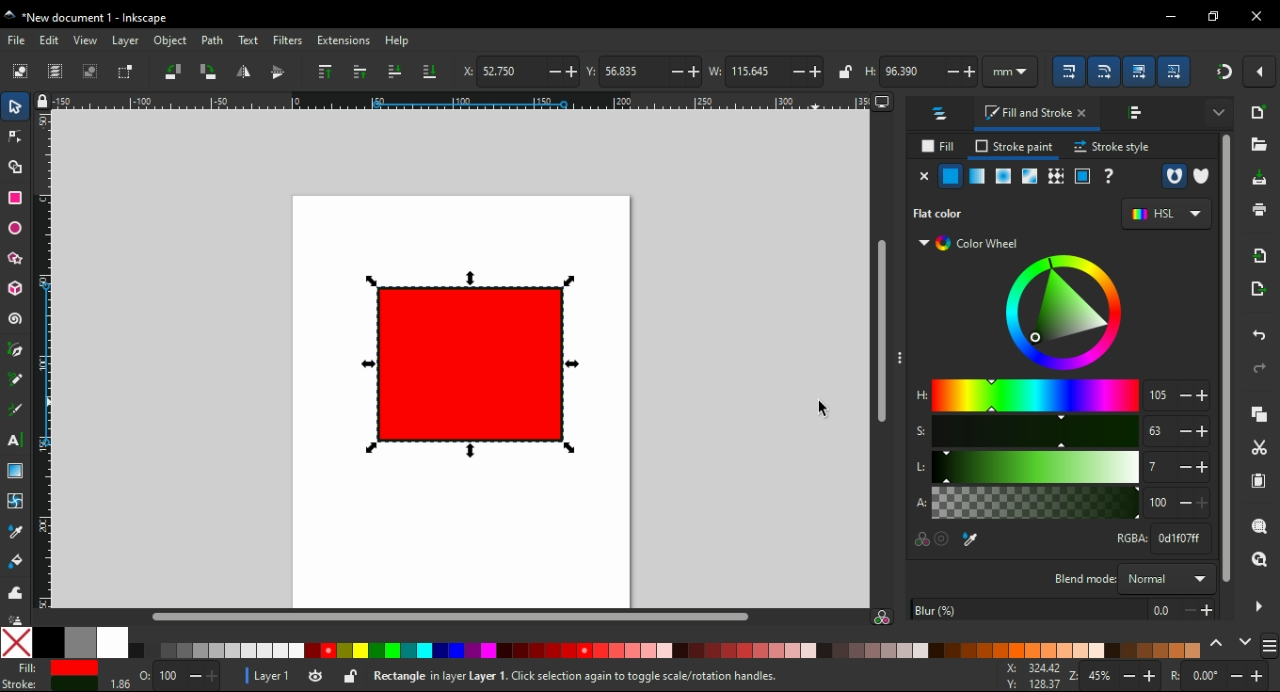  Describe the element at coordinates (808, 71) in the screenshot. I see `increase/decrease` at that location.